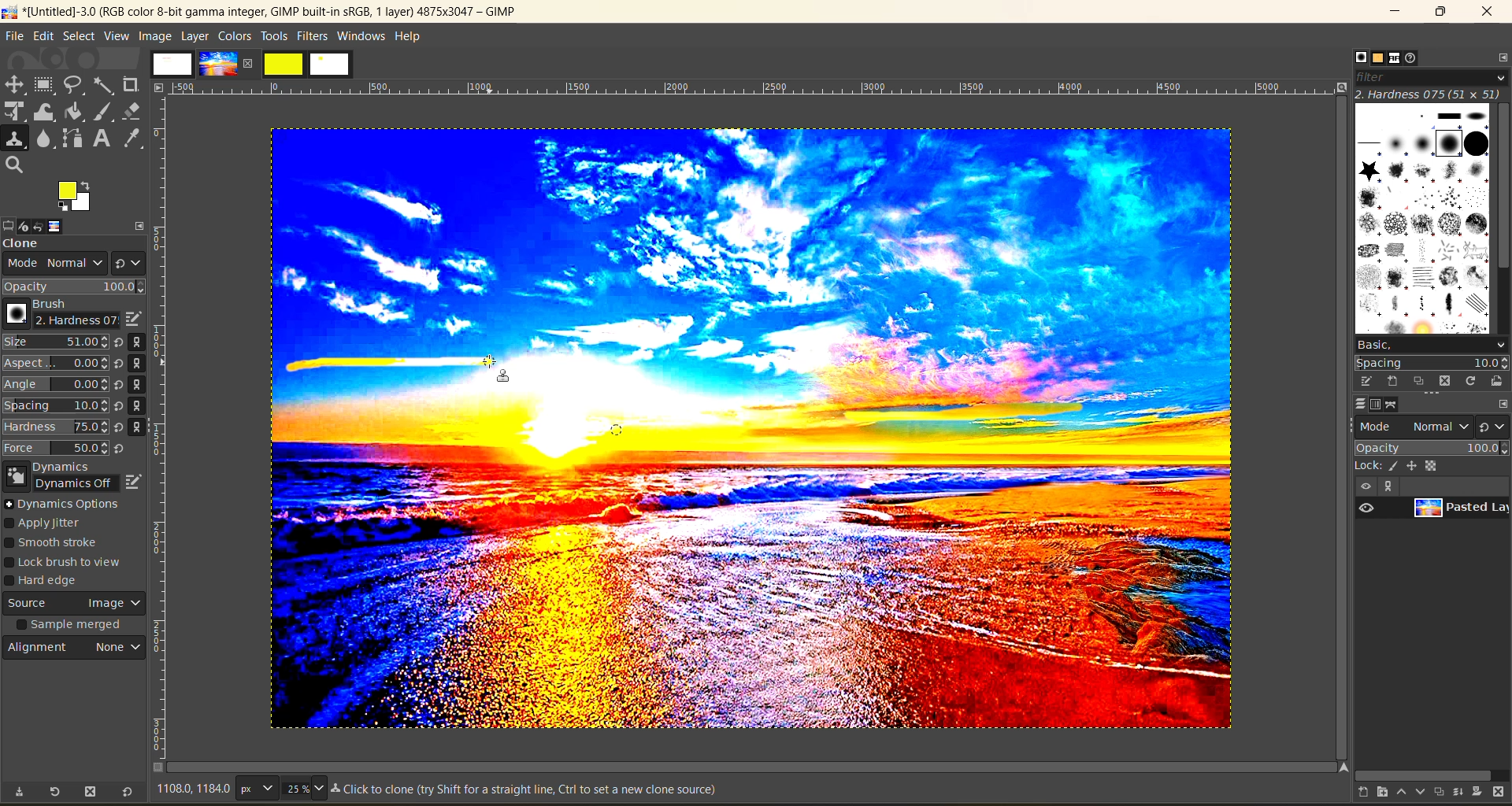 The height and width of the screenshot is (806, 1512). Describe the element at coordinates (412, 35) in the screenshot. I see `help` at that location.